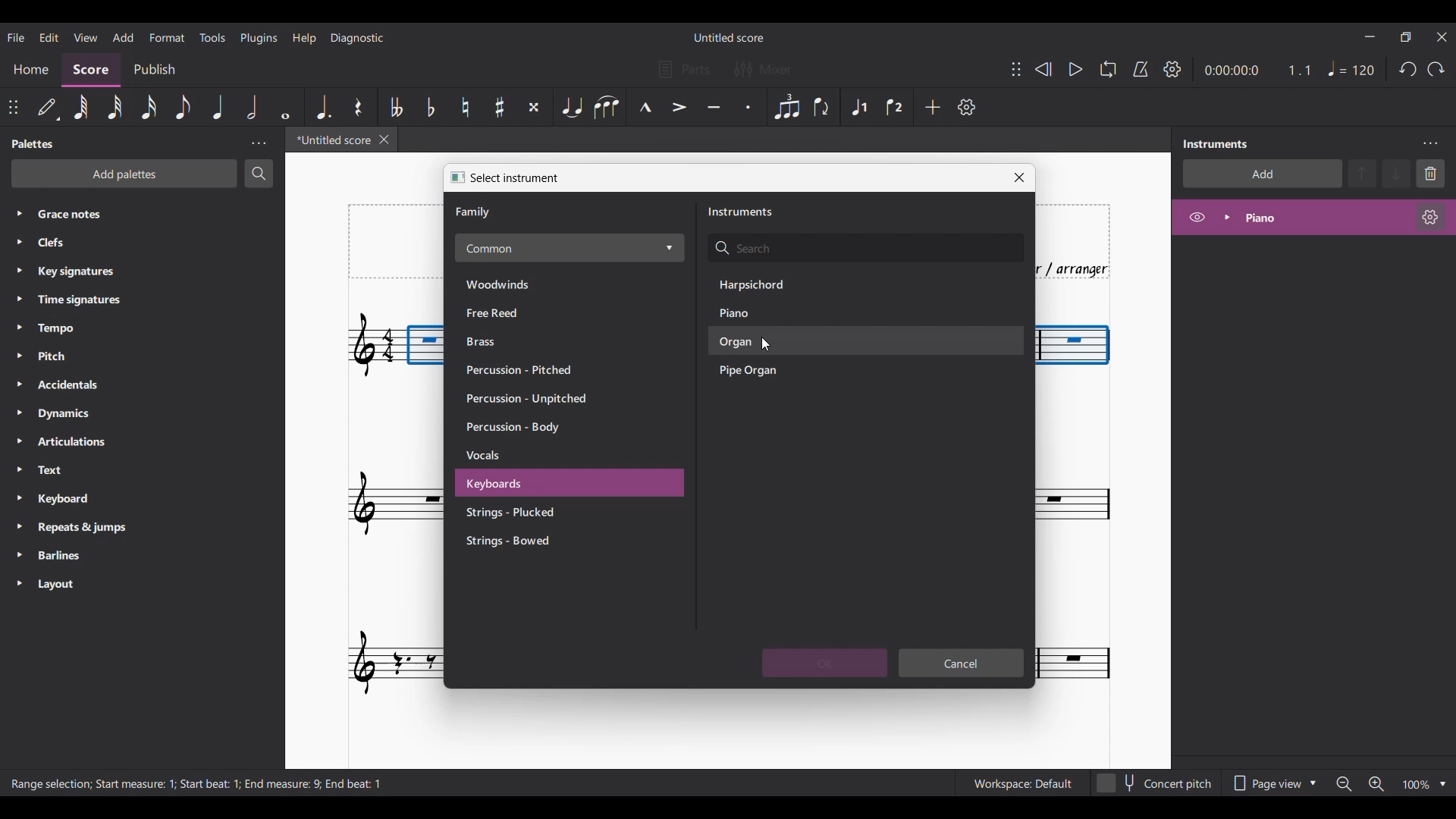 This screenshot has width=1456, height=819. What do you see at coordinates (85, 329) in the screenshot?
I see `Tempo` at bounding box center [85, 329].